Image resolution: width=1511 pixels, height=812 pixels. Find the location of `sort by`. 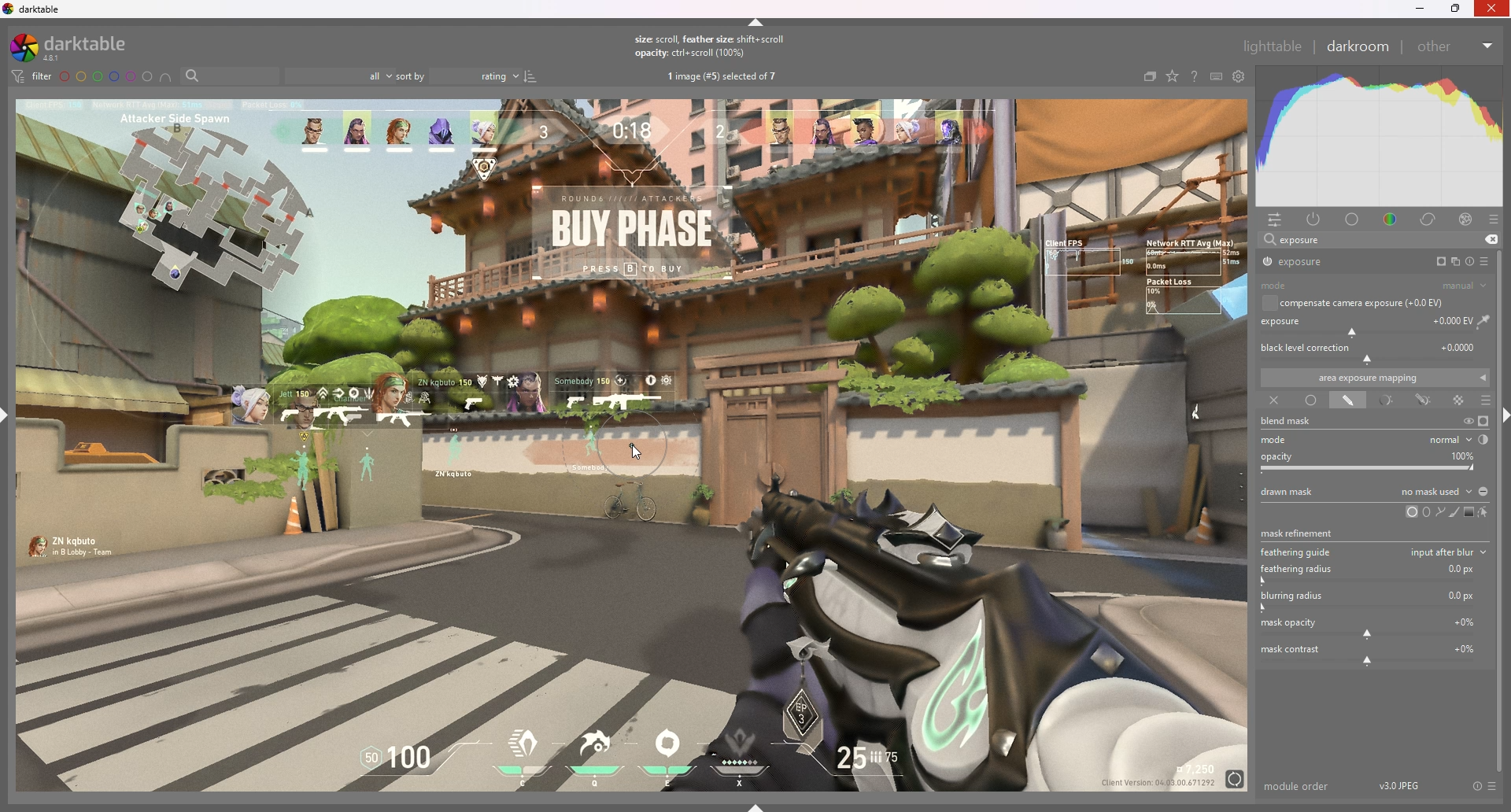

sort by is located at coordinates (459, 76).